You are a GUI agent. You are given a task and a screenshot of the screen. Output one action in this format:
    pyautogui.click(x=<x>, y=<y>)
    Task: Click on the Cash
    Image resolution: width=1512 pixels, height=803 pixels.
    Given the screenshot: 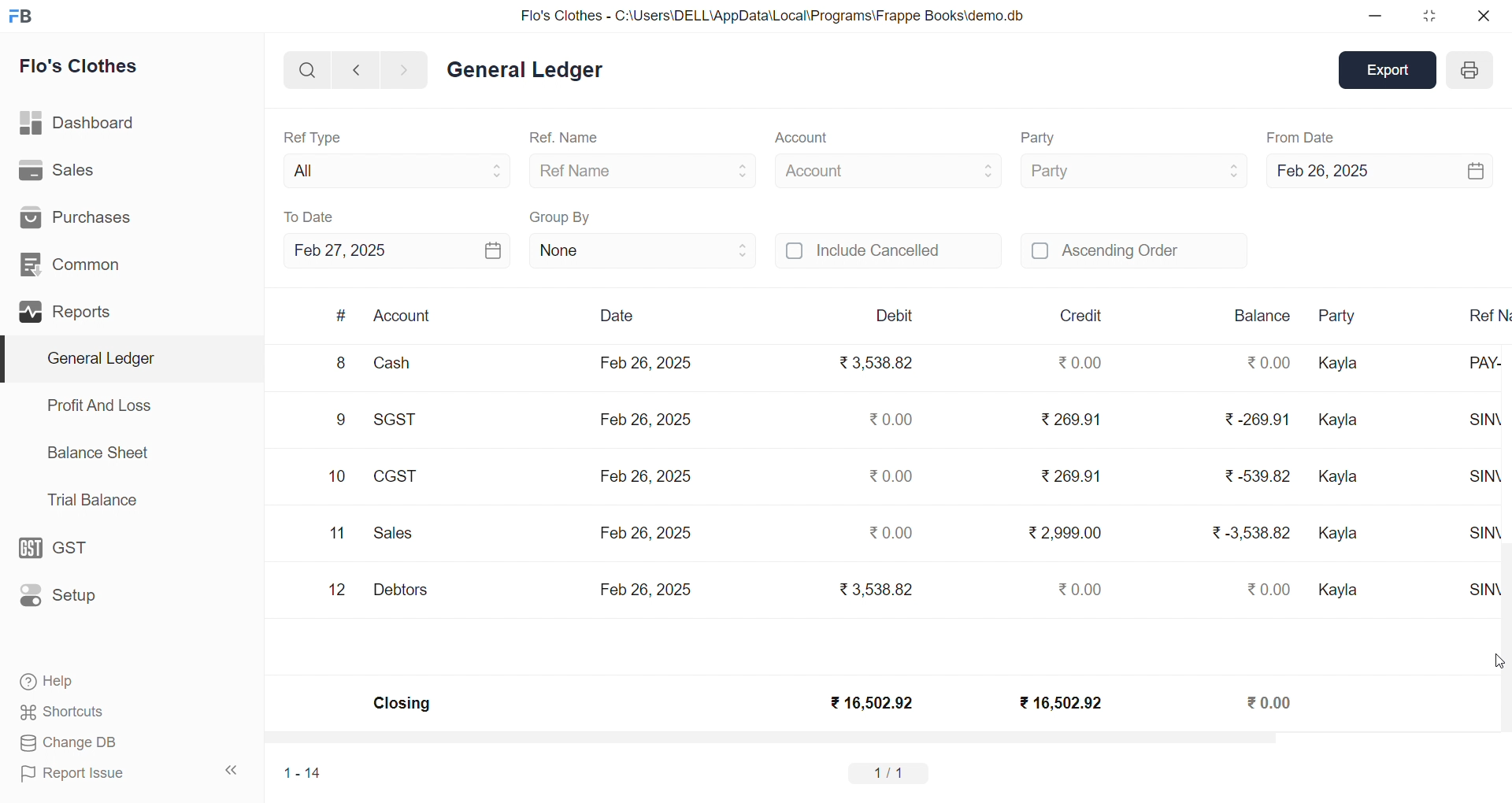 What is the action you would take?
    pyautogui.click(x=402, y=366)
    